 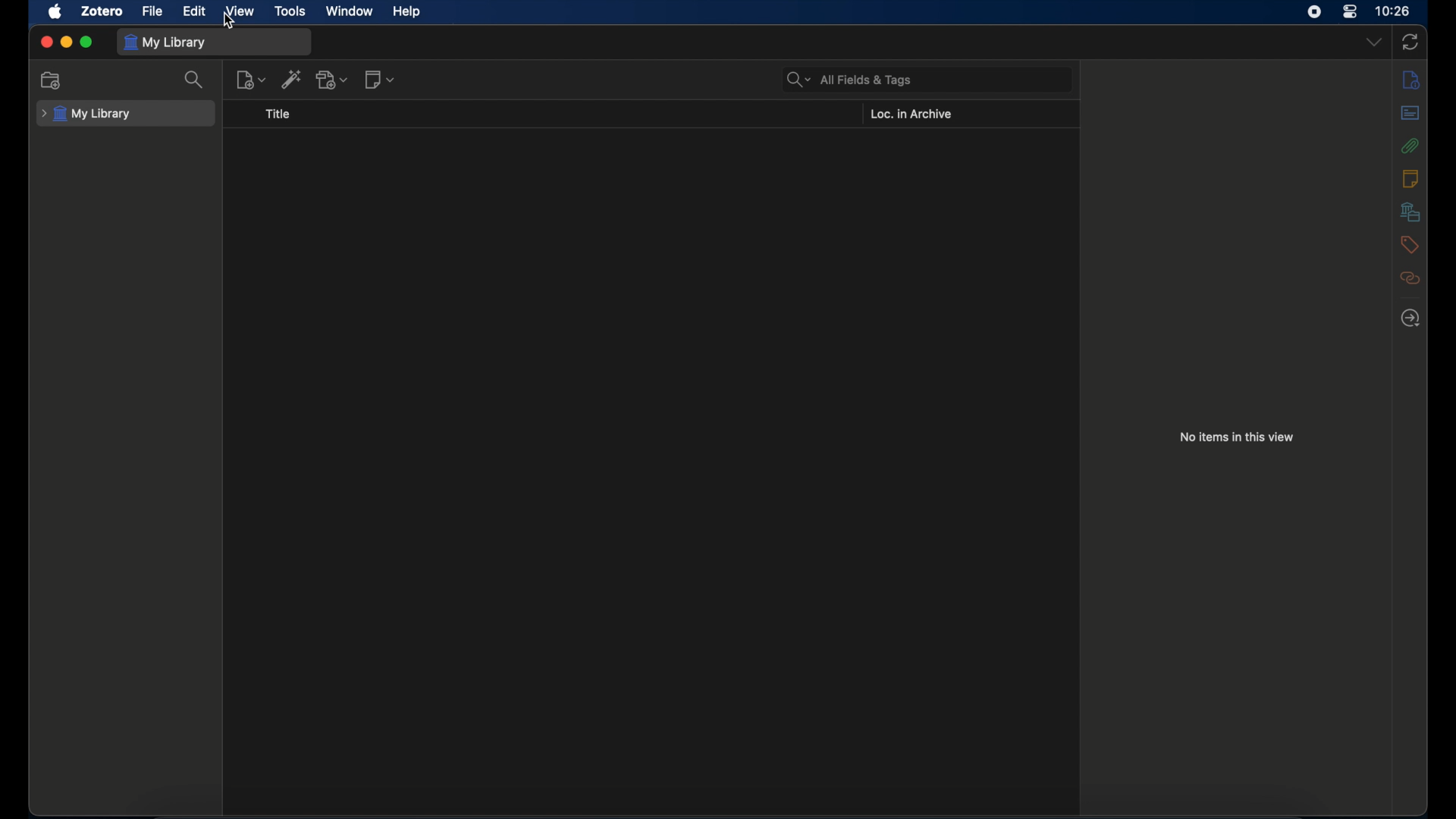 What do you see at coordinates (86, 115) in the screenshot?
I see `my library` at bounding box center [86, 115].